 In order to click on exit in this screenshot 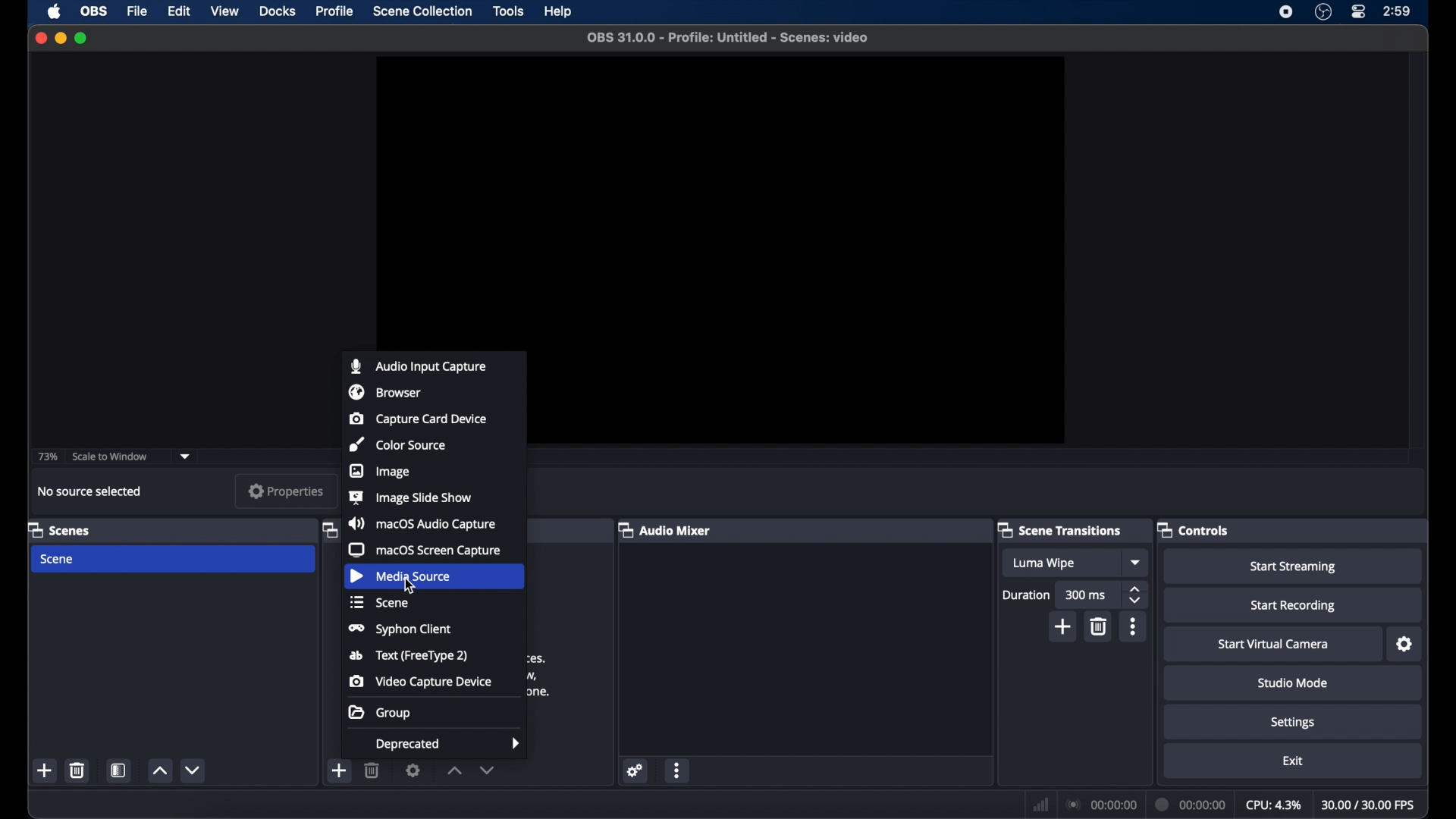, I will do `click(1294, 761)`.